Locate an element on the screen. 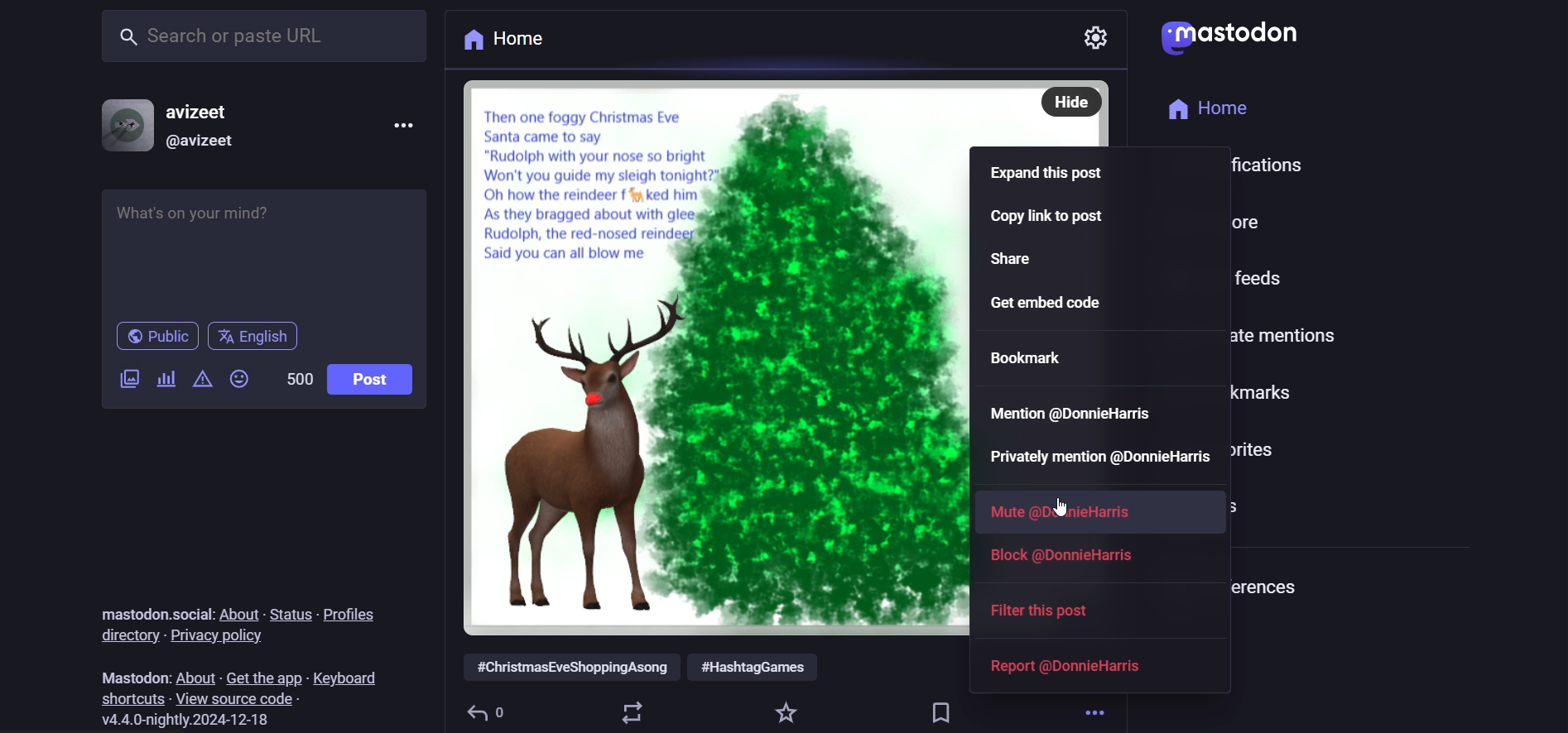 The image size is (1568, 733). profiles is located at coordinates (354, 614).